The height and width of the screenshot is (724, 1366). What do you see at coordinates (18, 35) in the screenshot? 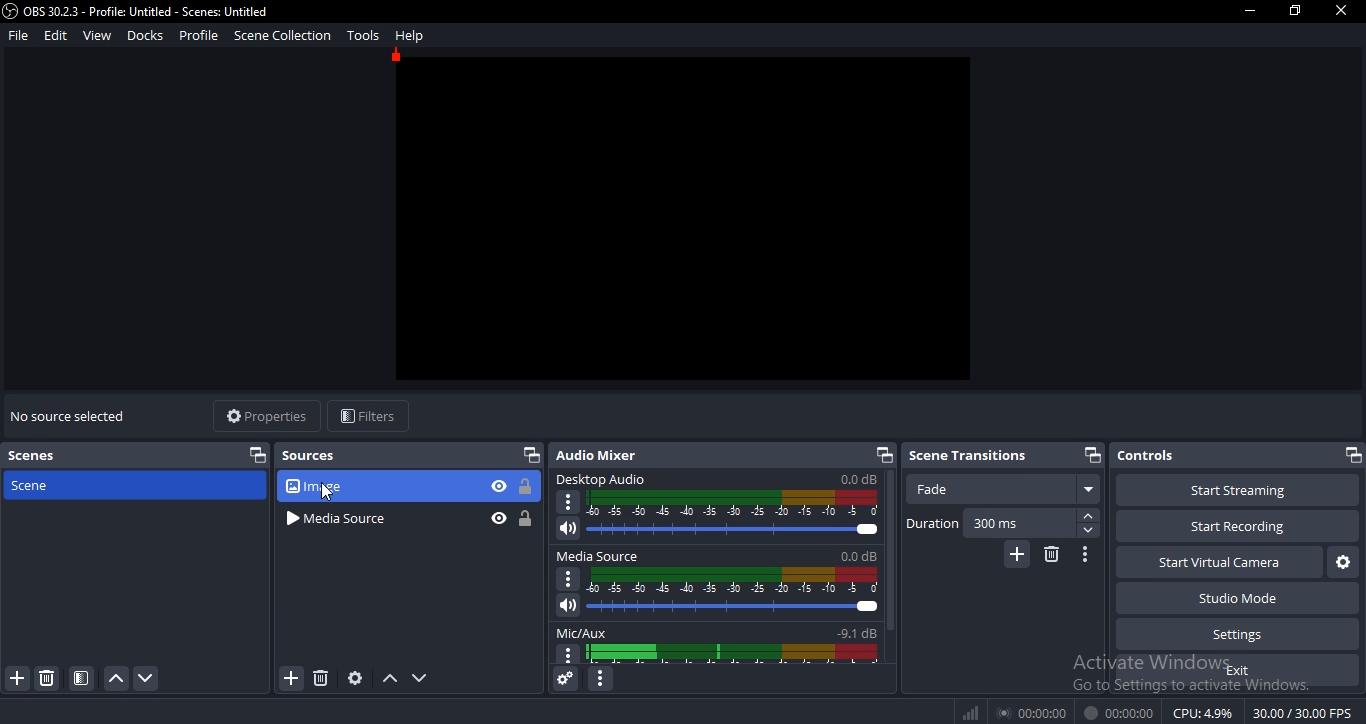
I see `file` at bounding box center [18, 35].